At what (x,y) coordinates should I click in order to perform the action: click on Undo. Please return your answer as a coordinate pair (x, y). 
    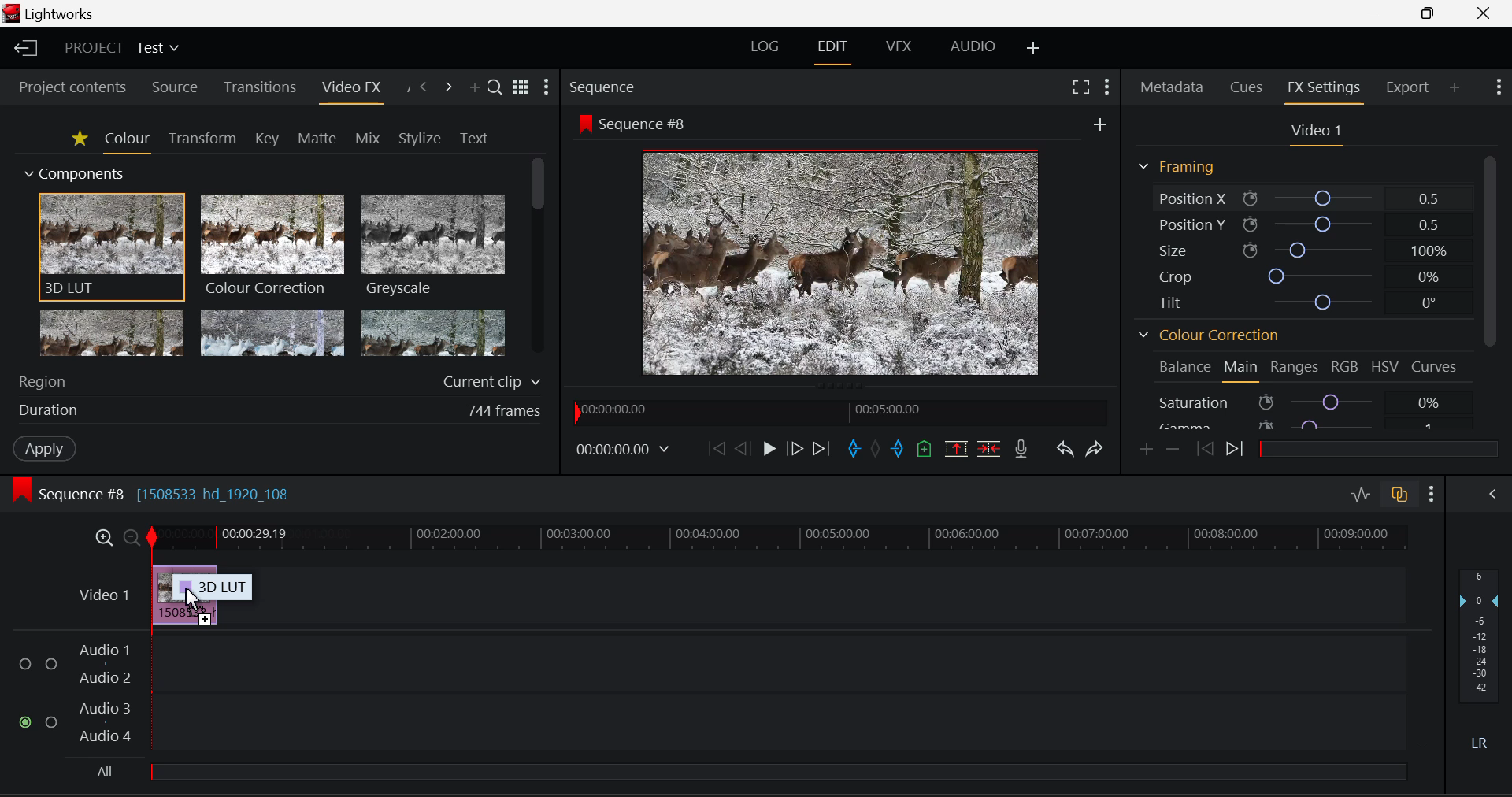
    Looking at the image, I should click on (1066, 451).